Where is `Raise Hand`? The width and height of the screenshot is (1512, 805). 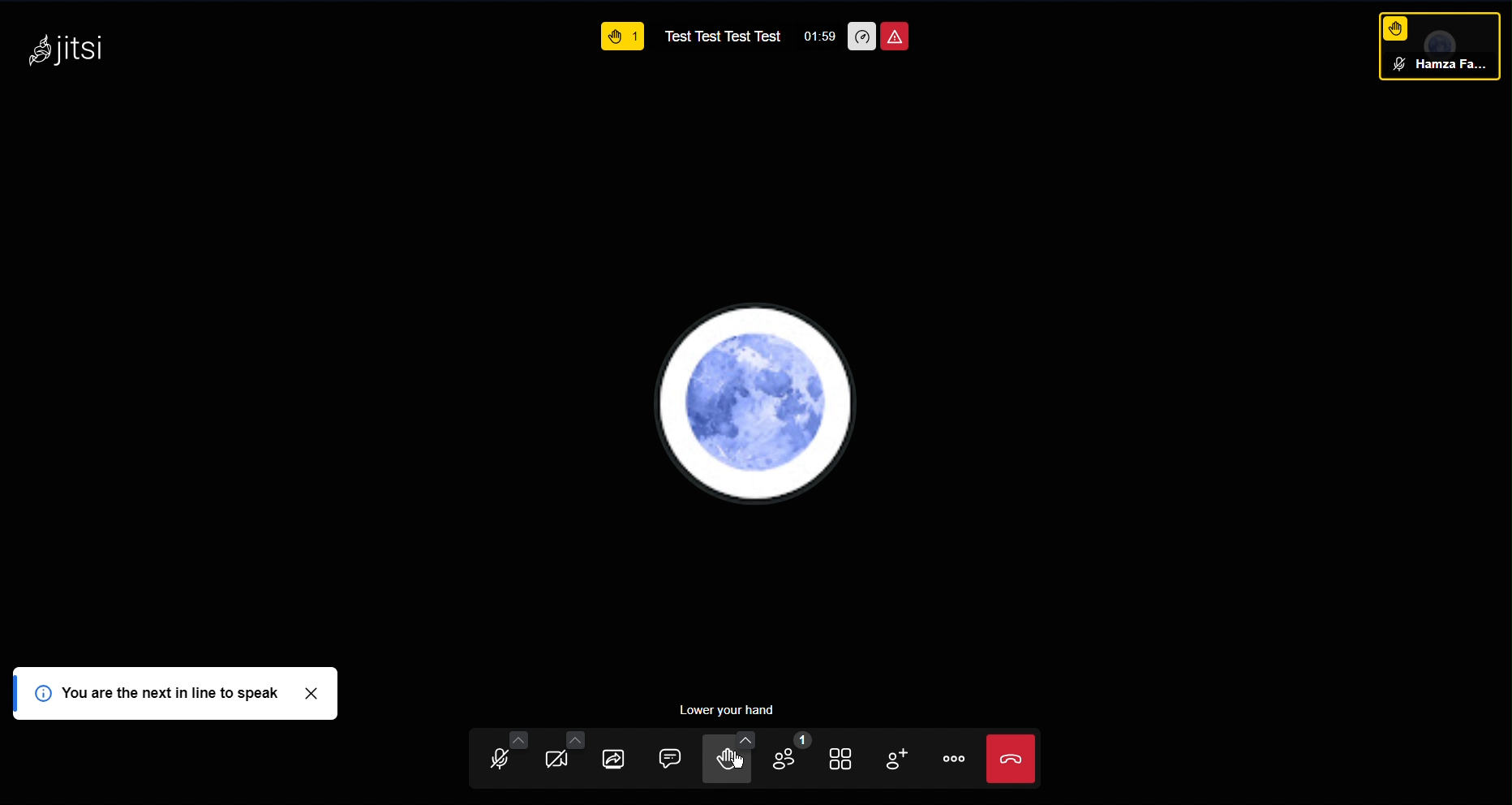 Raise Hand is located at coordinates (729, 756).